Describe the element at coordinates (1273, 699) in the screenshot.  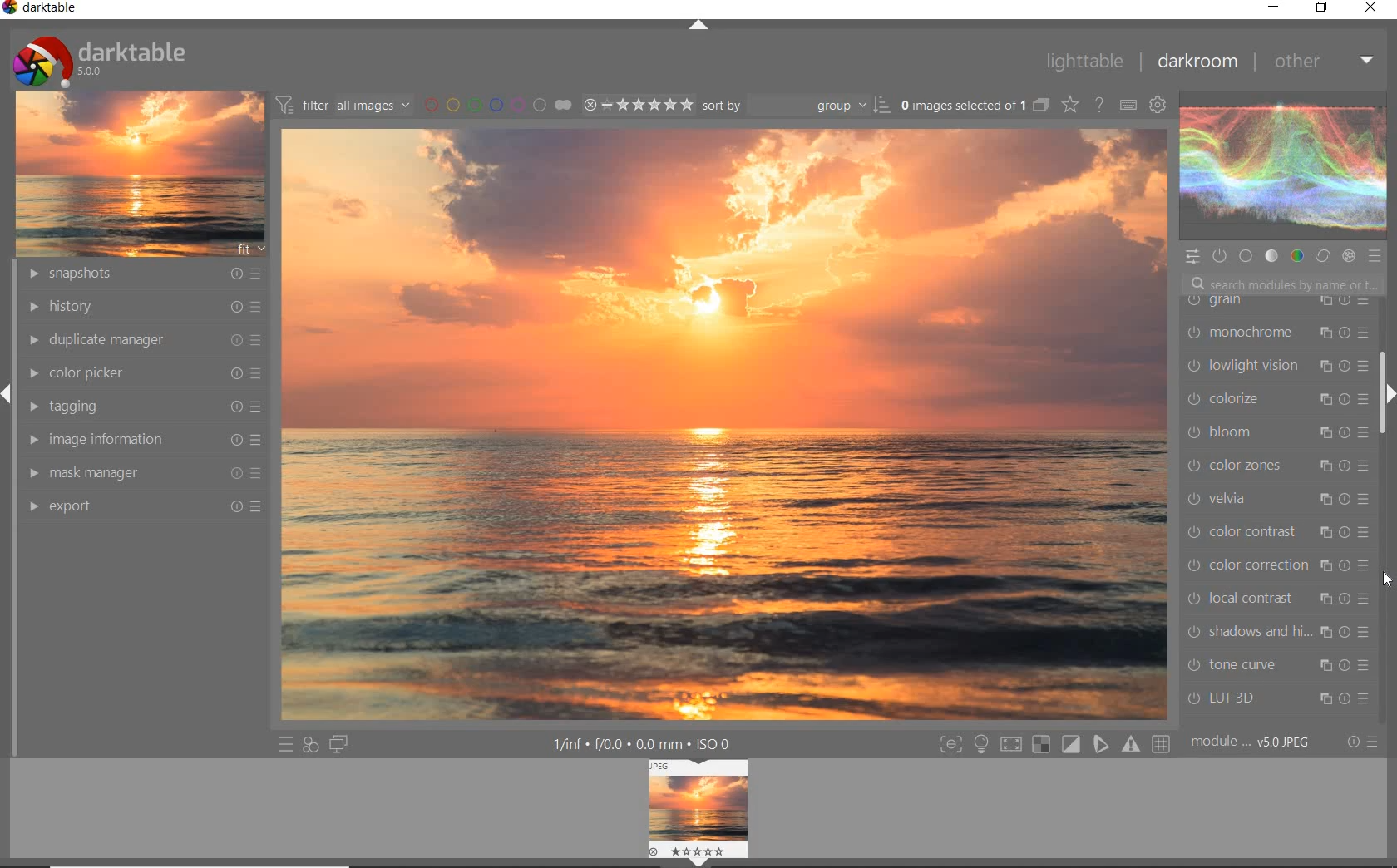
I see `LUT 3D` at that location.